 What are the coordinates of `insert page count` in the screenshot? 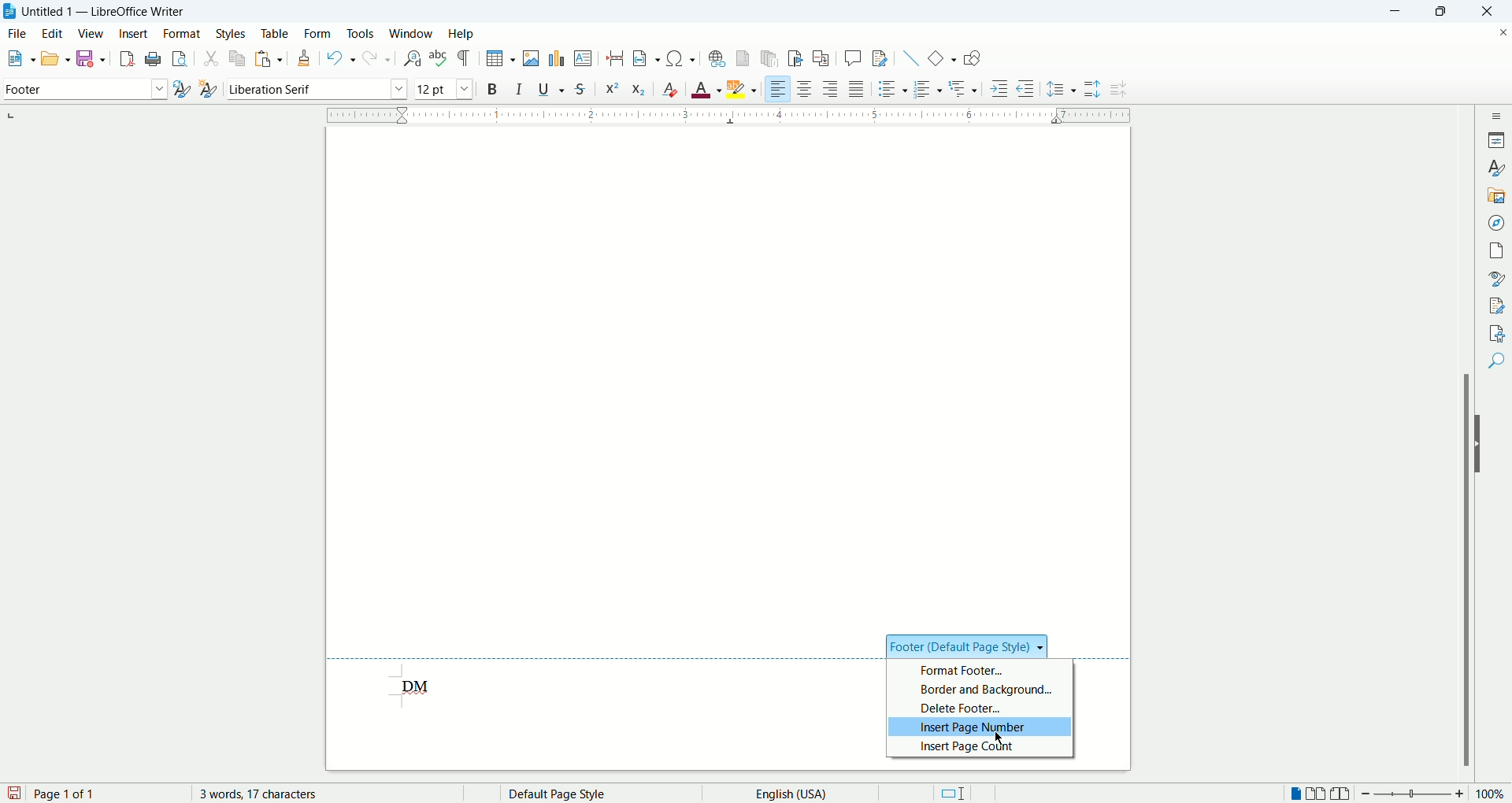 It's located at (984, 748).